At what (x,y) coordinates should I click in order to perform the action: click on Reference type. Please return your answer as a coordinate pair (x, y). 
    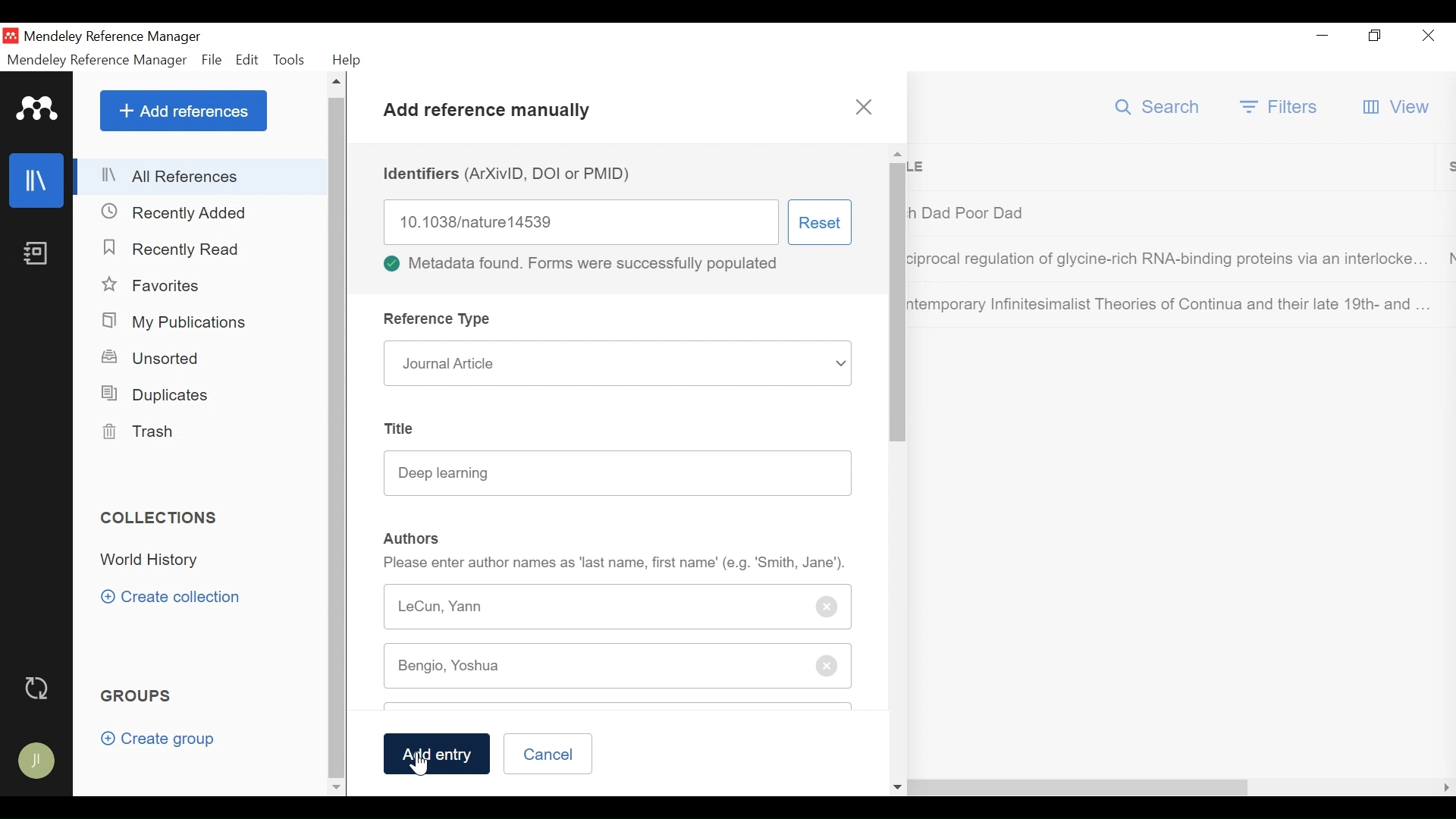
    Looking at the image, I should click on (441, 320).